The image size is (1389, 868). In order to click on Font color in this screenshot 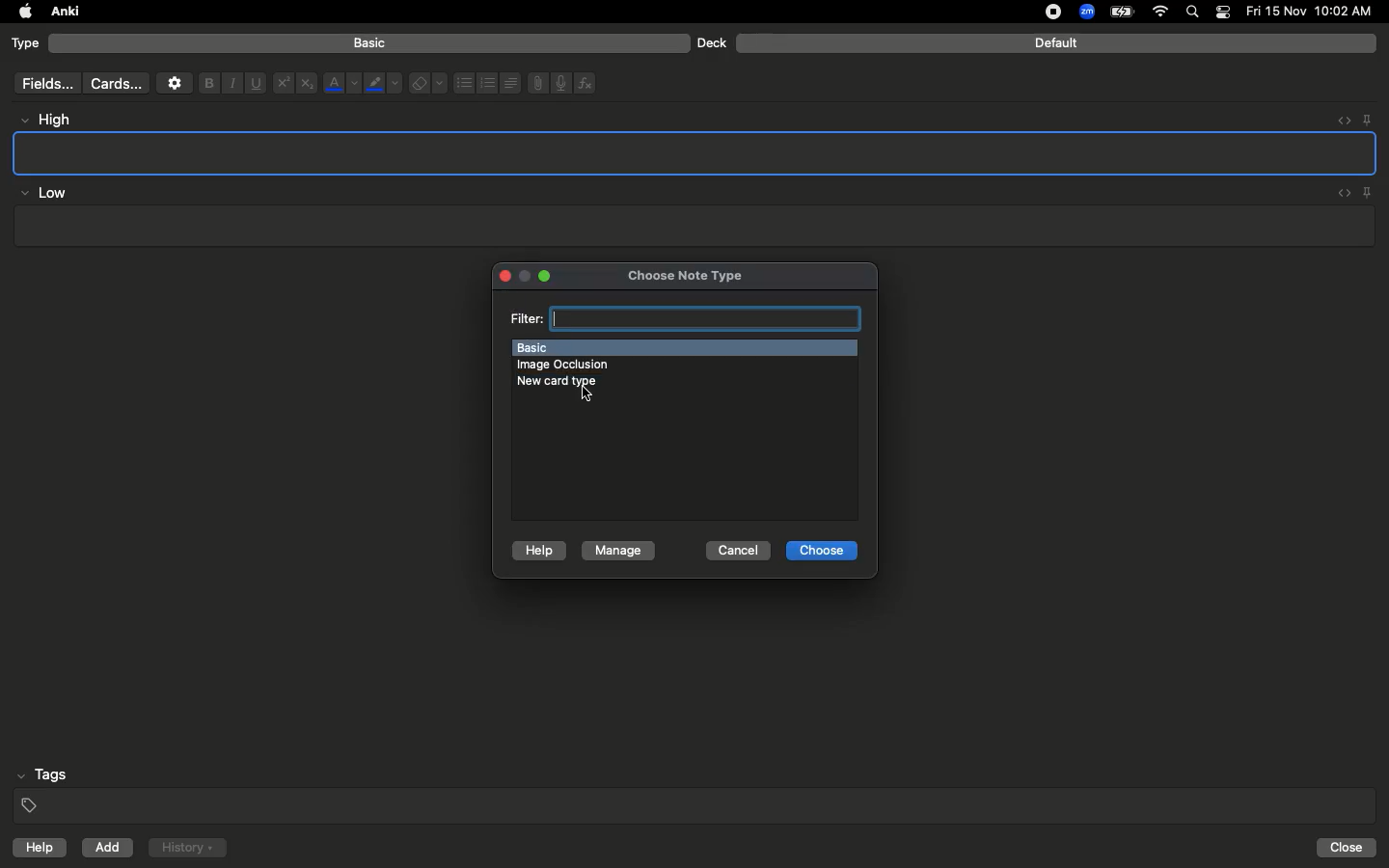, I will do `click(340, 83)`.